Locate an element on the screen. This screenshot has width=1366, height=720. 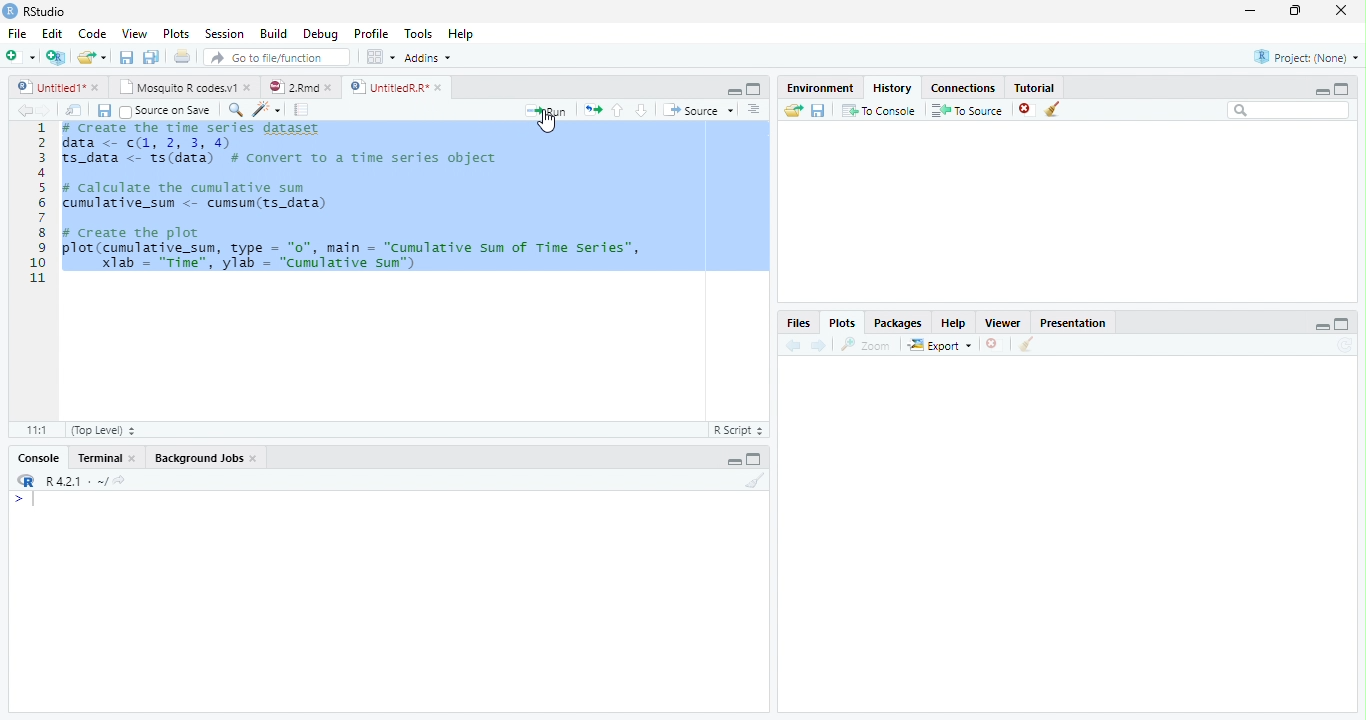
pages is located at coordinates (299, 112).